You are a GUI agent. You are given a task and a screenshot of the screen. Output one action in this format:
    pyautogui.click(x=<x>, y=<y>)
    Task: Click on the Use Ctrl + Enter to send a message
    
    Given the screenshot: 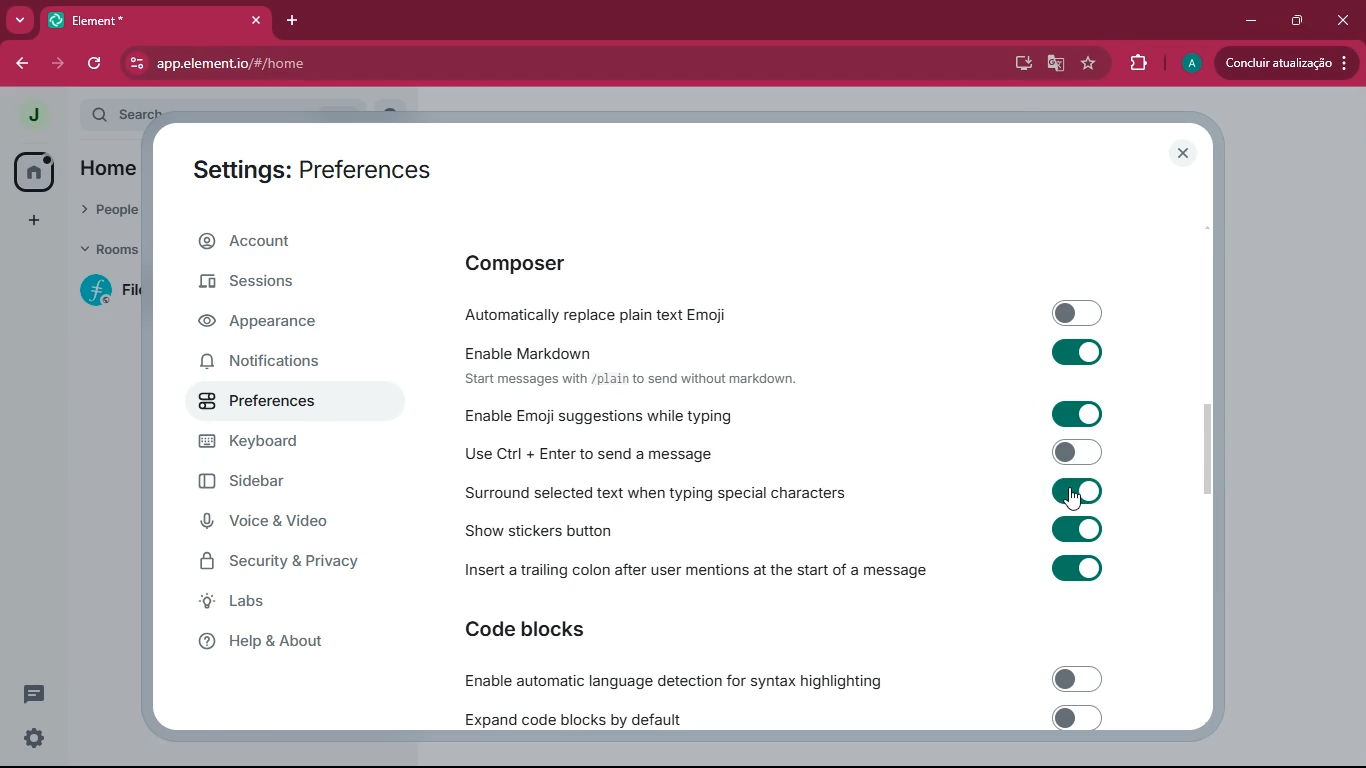 What is the action you would take?
    pyautogui.click(x=787, y=451)
    